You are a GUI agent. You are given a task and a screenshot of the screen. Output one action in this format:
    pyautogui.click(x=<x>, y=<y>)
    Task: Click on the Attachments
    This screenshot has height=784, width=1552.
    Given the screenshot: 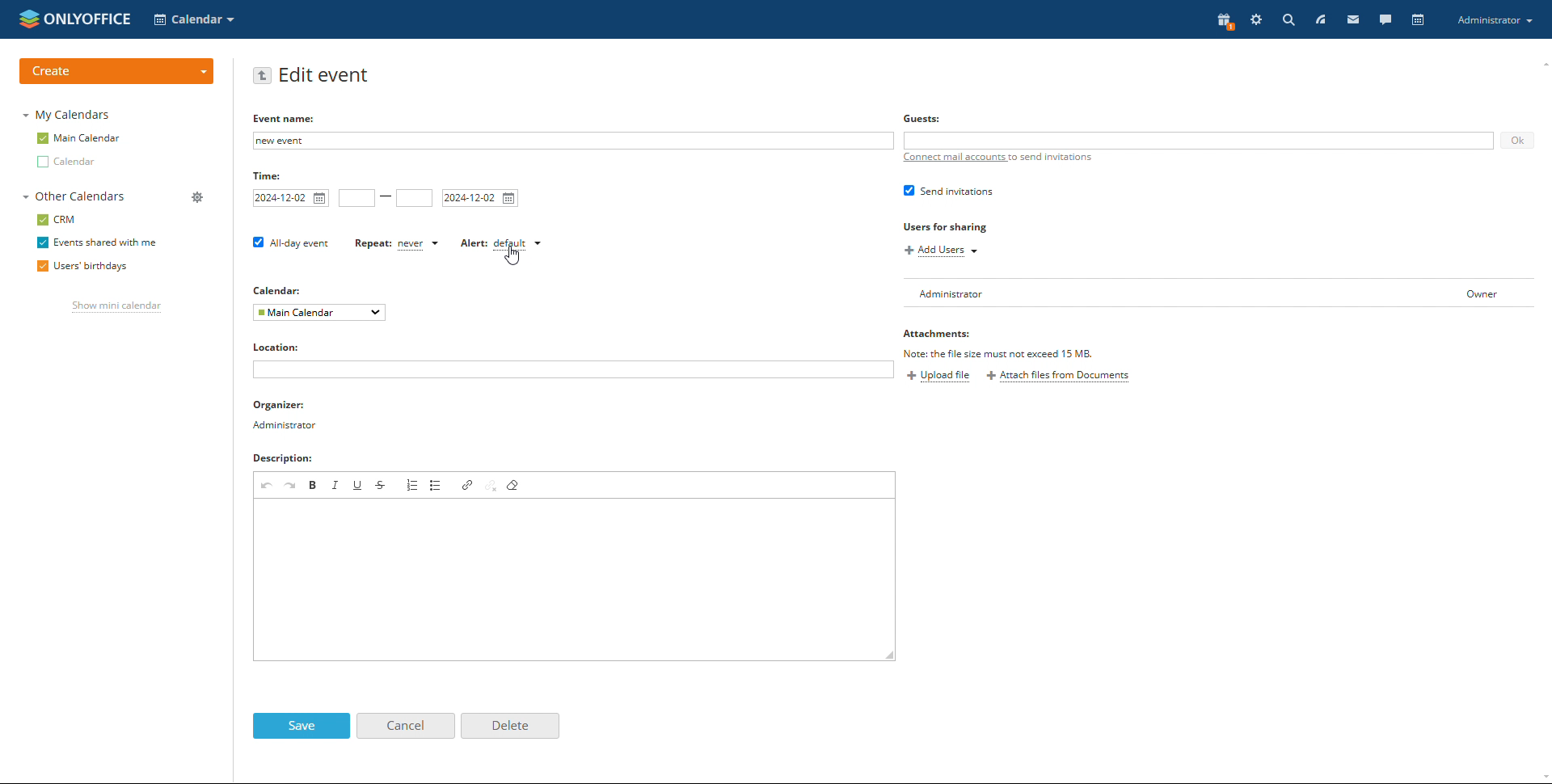 What is the action you would take?
    pyautogui.click(x=932, y=335)
    